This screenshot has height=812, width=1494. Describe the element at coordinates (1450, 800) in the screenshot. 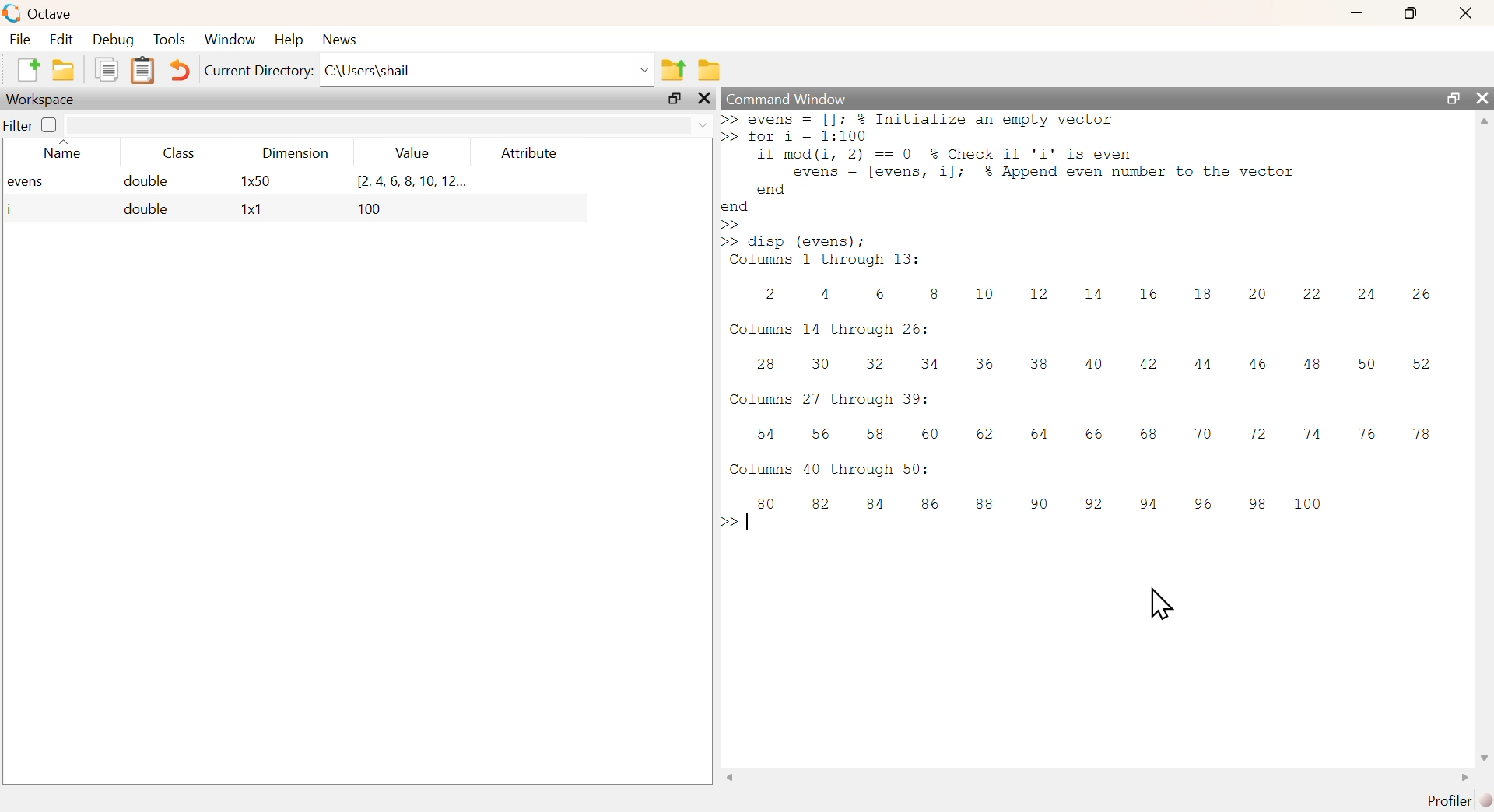

I see `profiler` at that location.